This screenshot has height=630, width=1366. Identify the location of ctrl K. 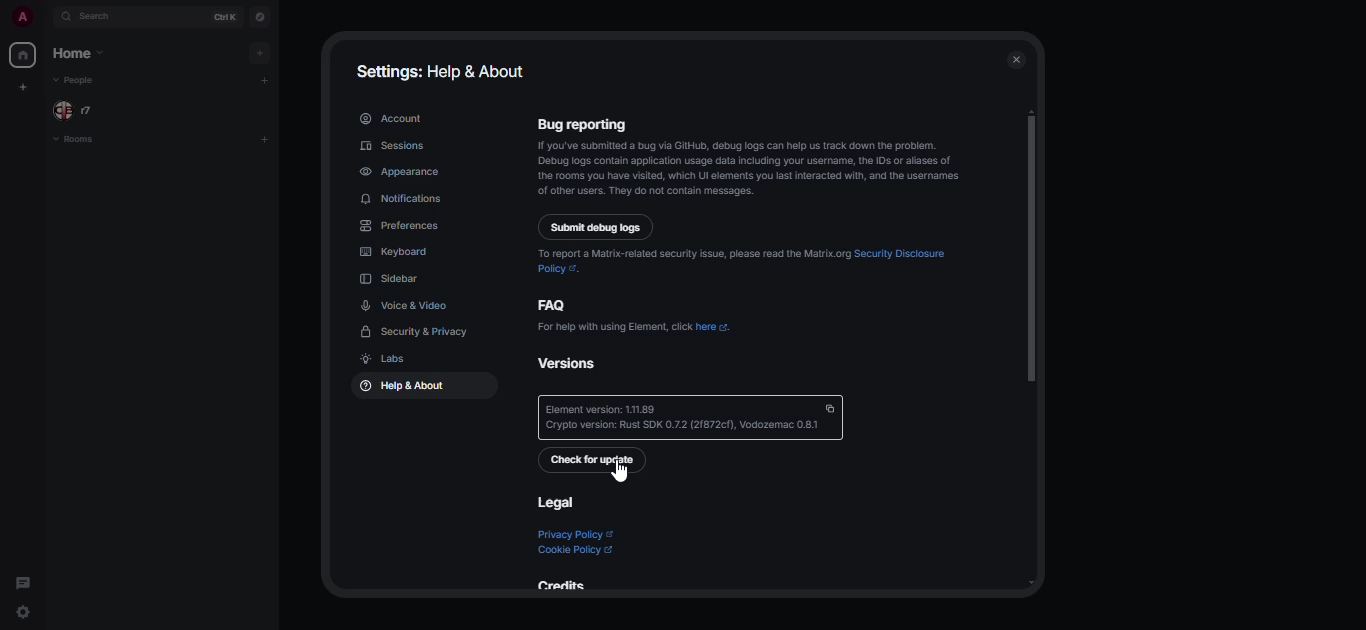
(224, 15).